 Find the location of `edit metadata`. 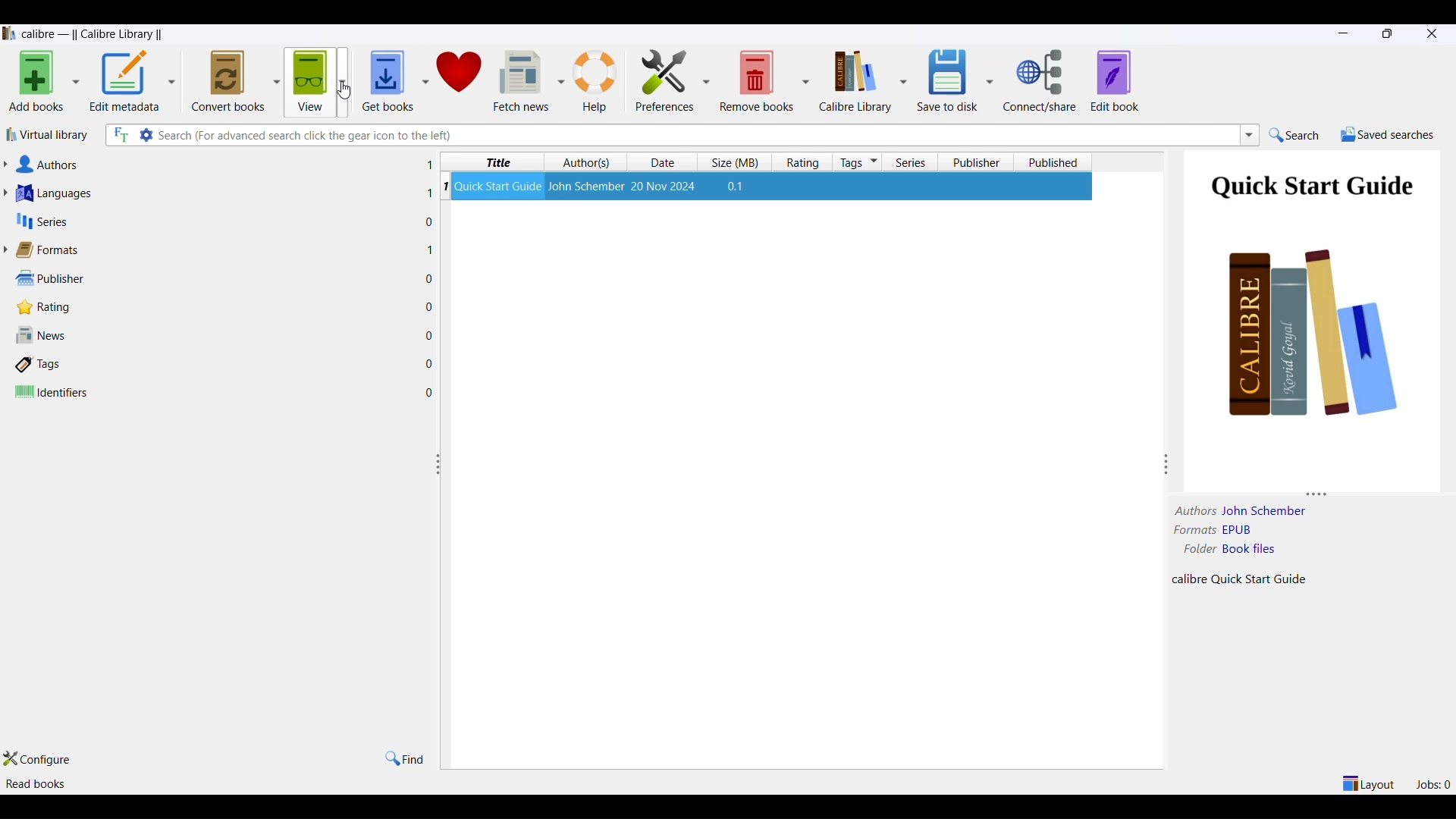

edit metadata is located at coordinates (126, 83).